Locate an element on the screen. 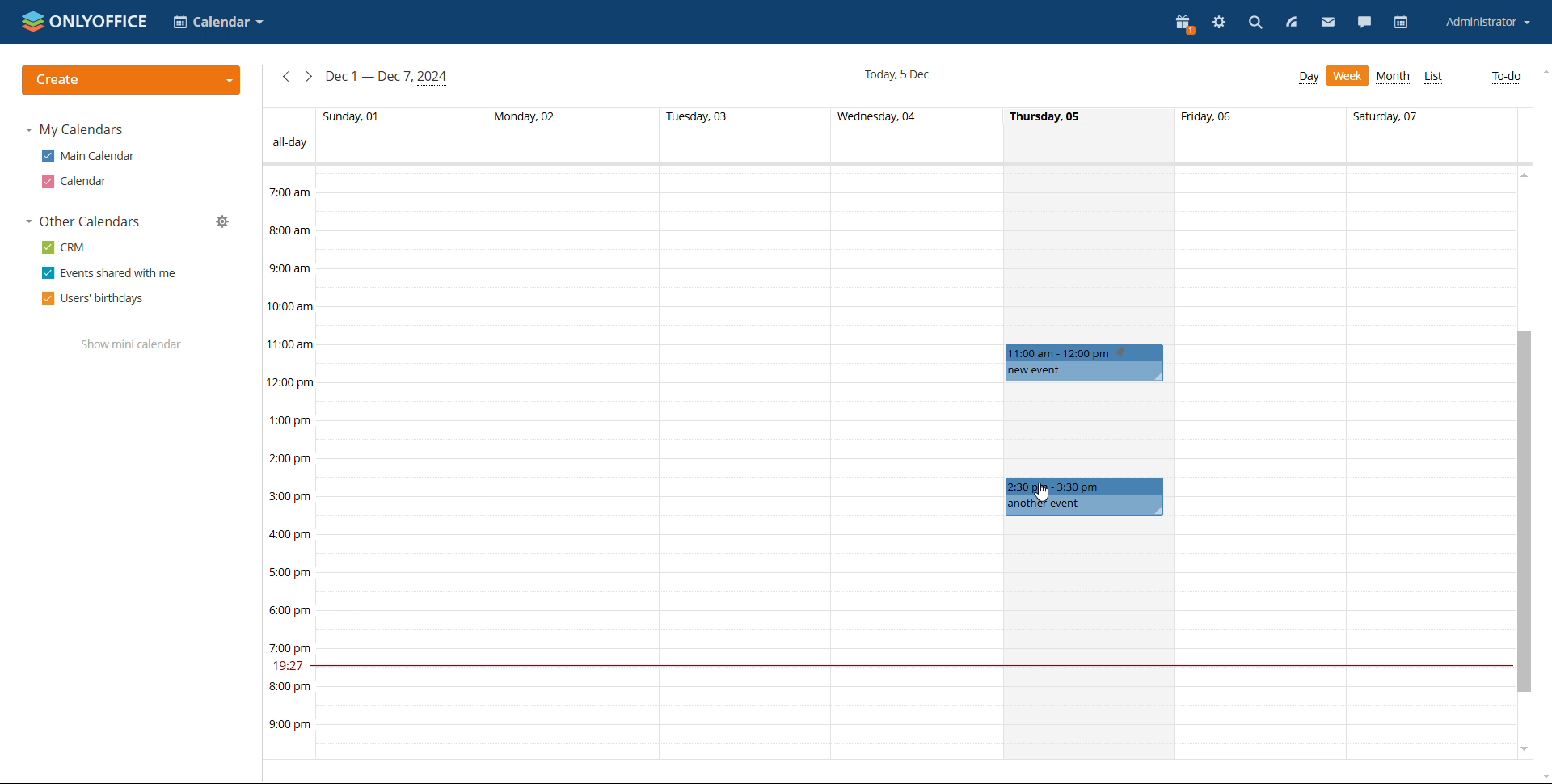  Sunday, 01 is located at coordinates (356, 116).